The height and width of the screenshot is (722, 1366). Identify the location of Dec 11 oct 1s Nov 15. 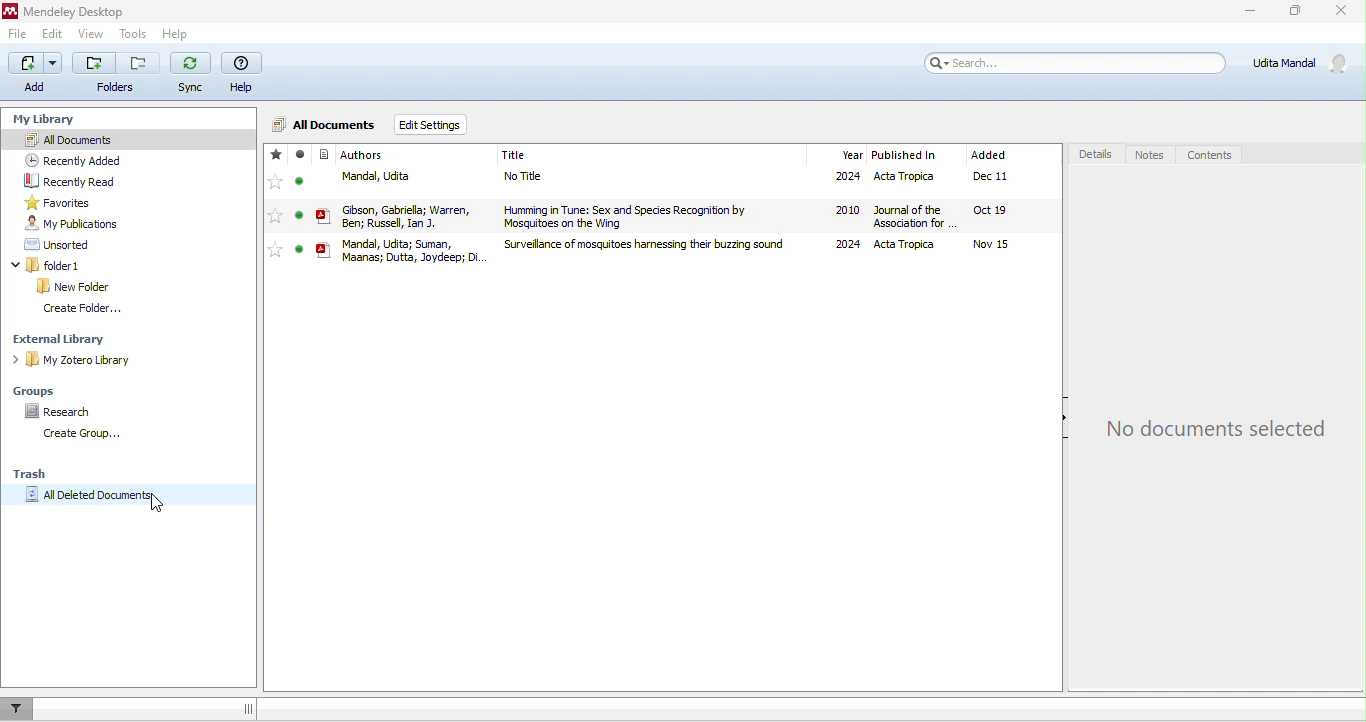
(1007, 213).